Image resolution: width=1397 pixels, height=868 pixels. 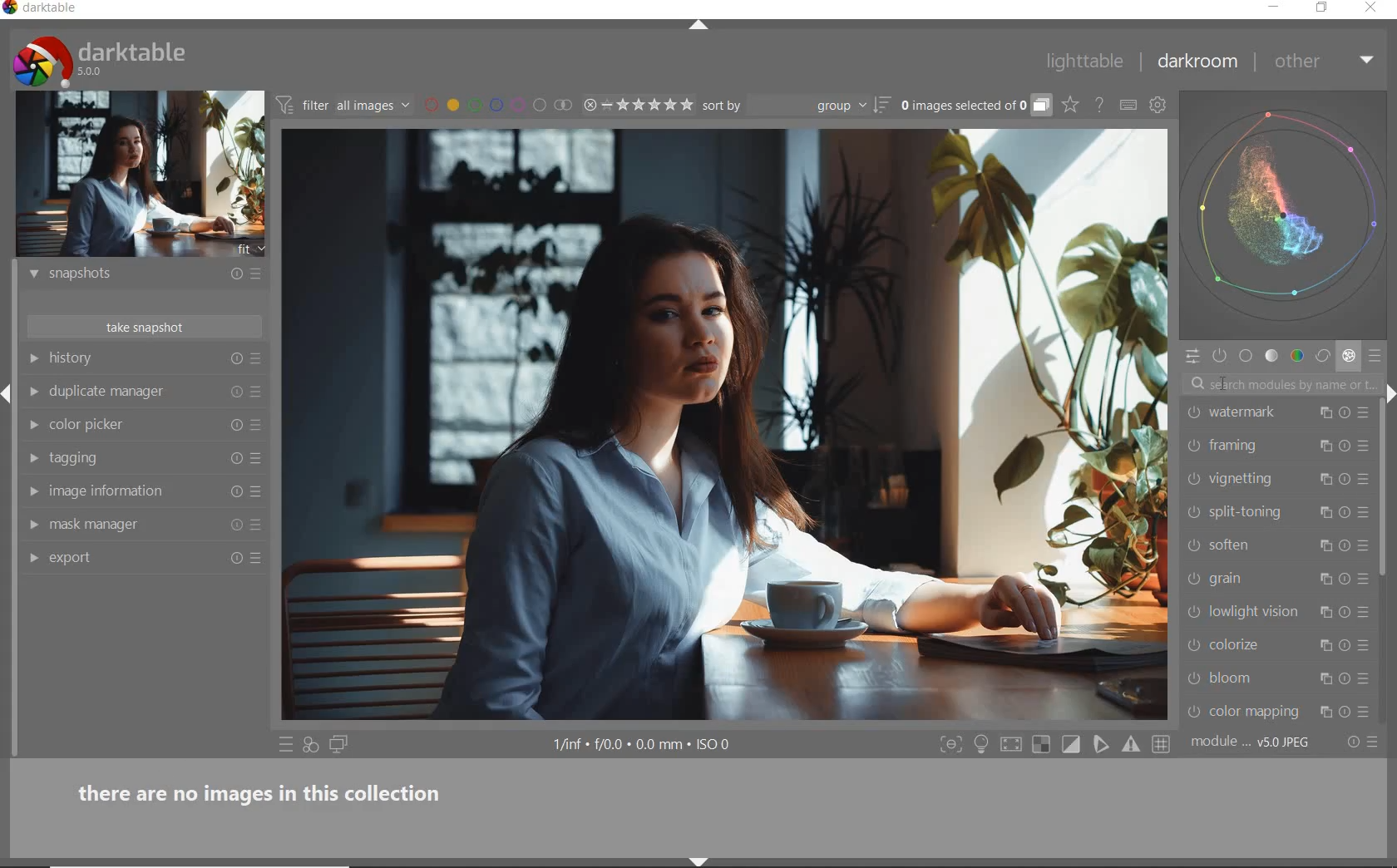 What do you see at coordinates (1158, 107) in the screenshot?
I see `show global preferences` at bounding box center [1158, 107].